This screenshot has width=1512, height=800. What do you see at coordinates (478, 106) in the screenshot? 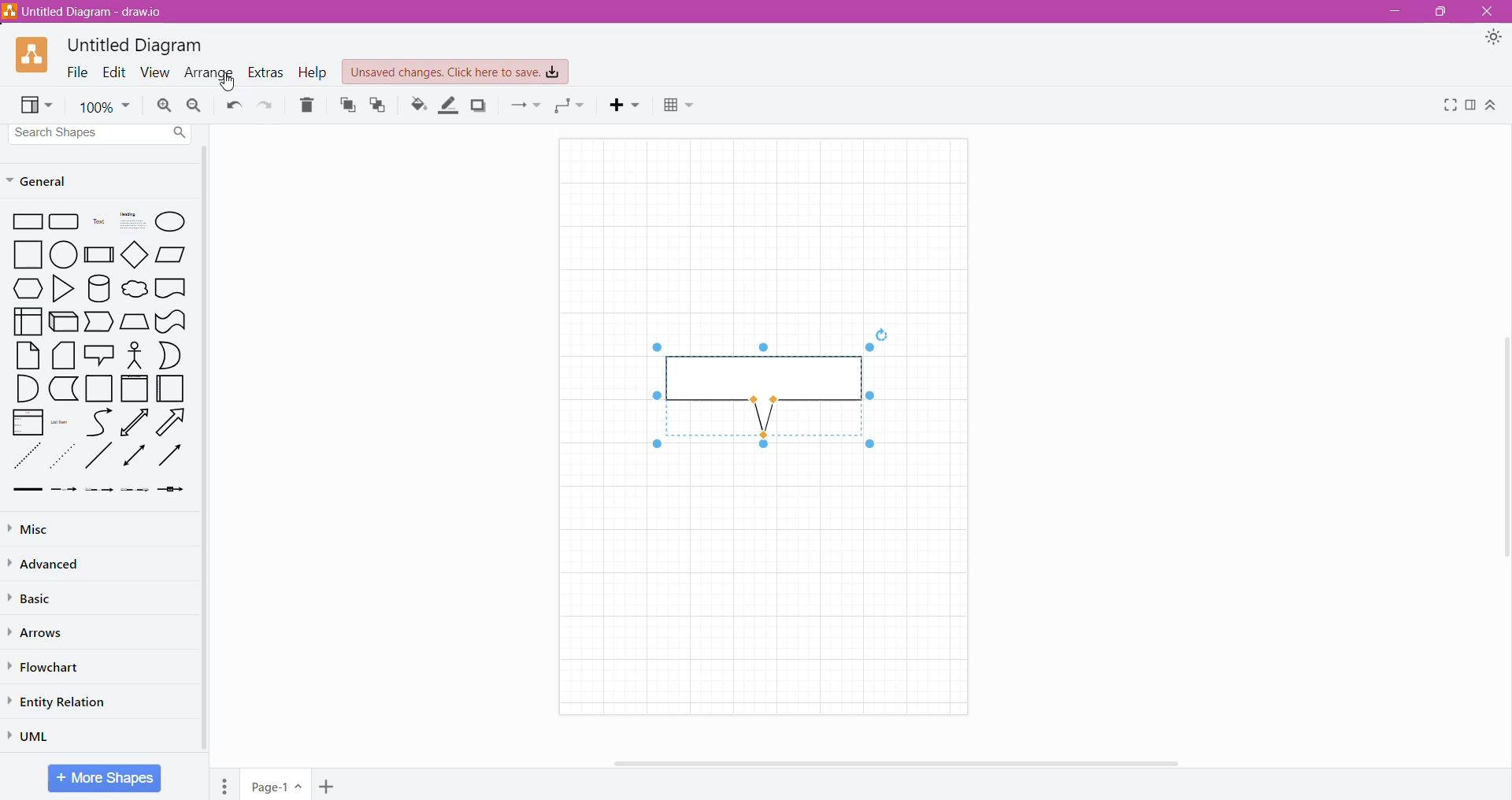
I see `Shadow` at bounding box center [478, 106].